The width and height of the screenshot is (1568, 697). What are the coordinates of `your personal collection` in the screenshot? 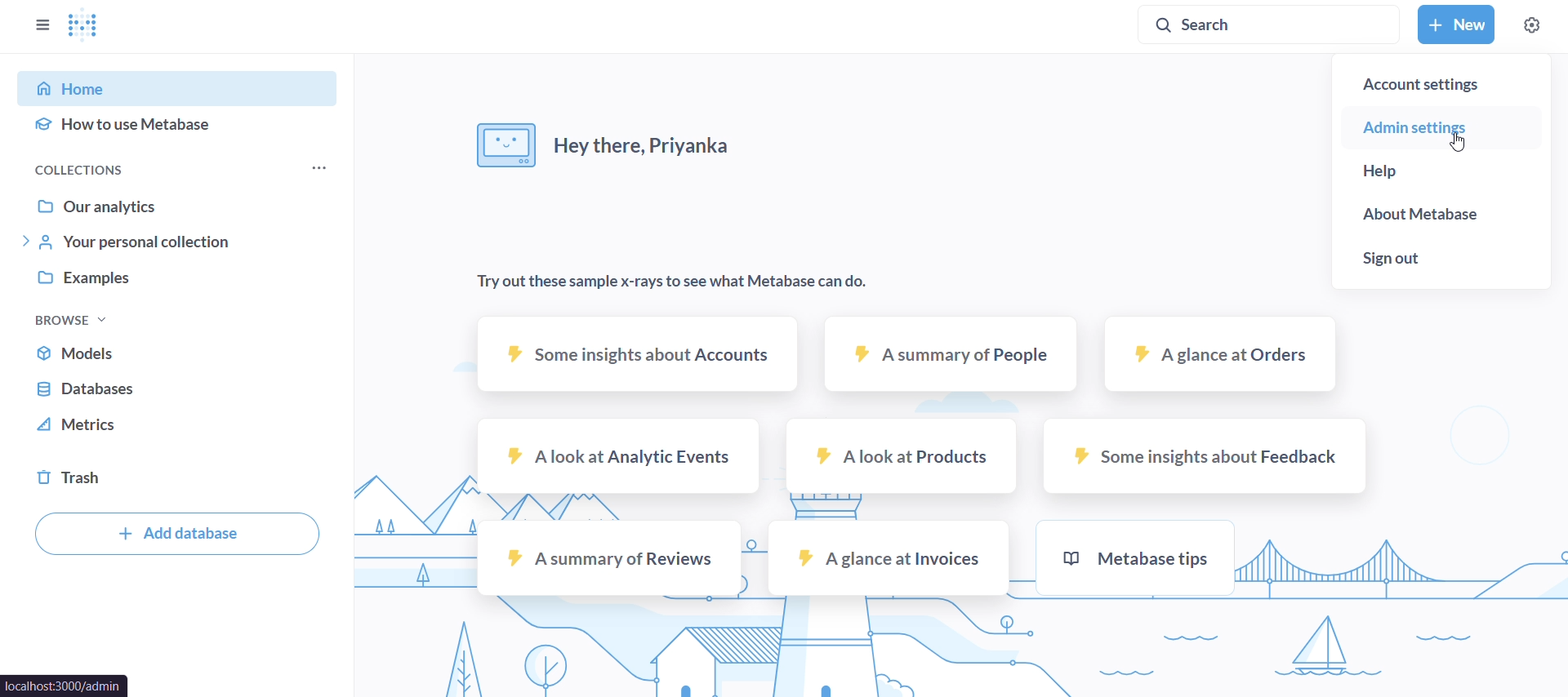 It's located at (176, 243).